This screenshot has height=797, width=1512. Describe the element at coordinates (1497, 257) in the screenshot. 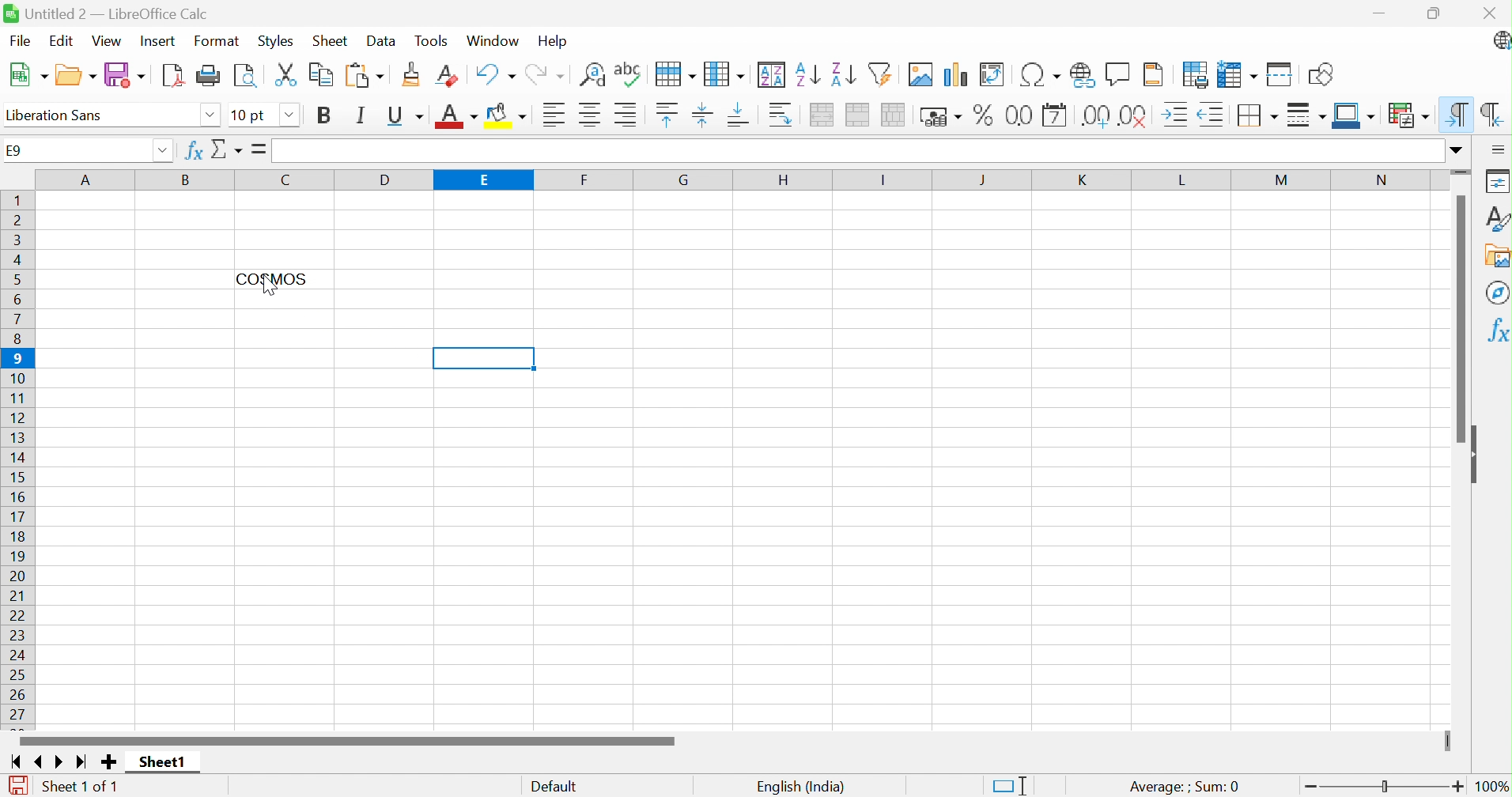

I see `Gallery` at that location.